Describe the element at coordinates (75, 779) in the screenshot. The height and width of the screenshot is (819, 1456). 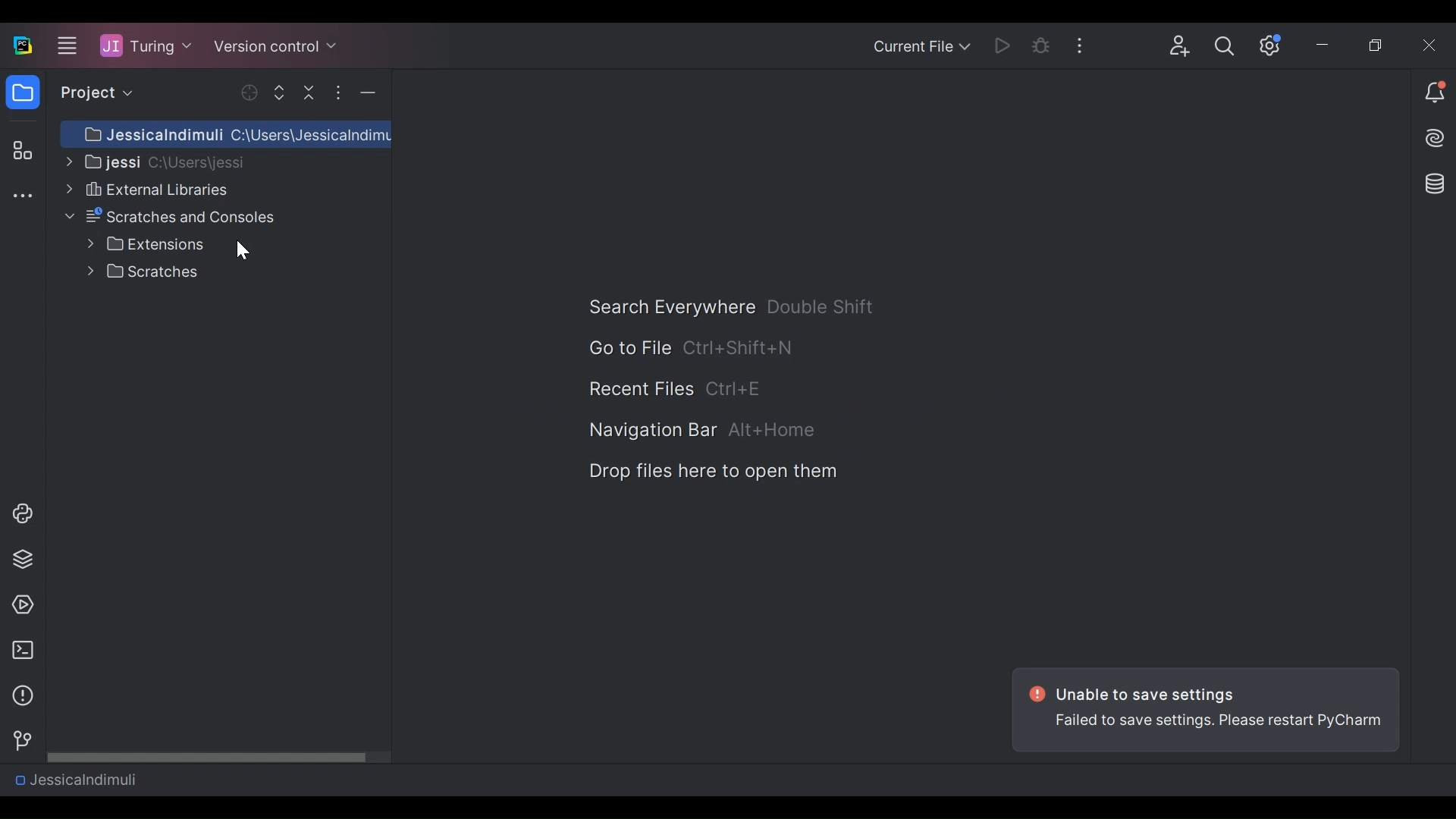
I see `JessicaIndumuli` at that location.